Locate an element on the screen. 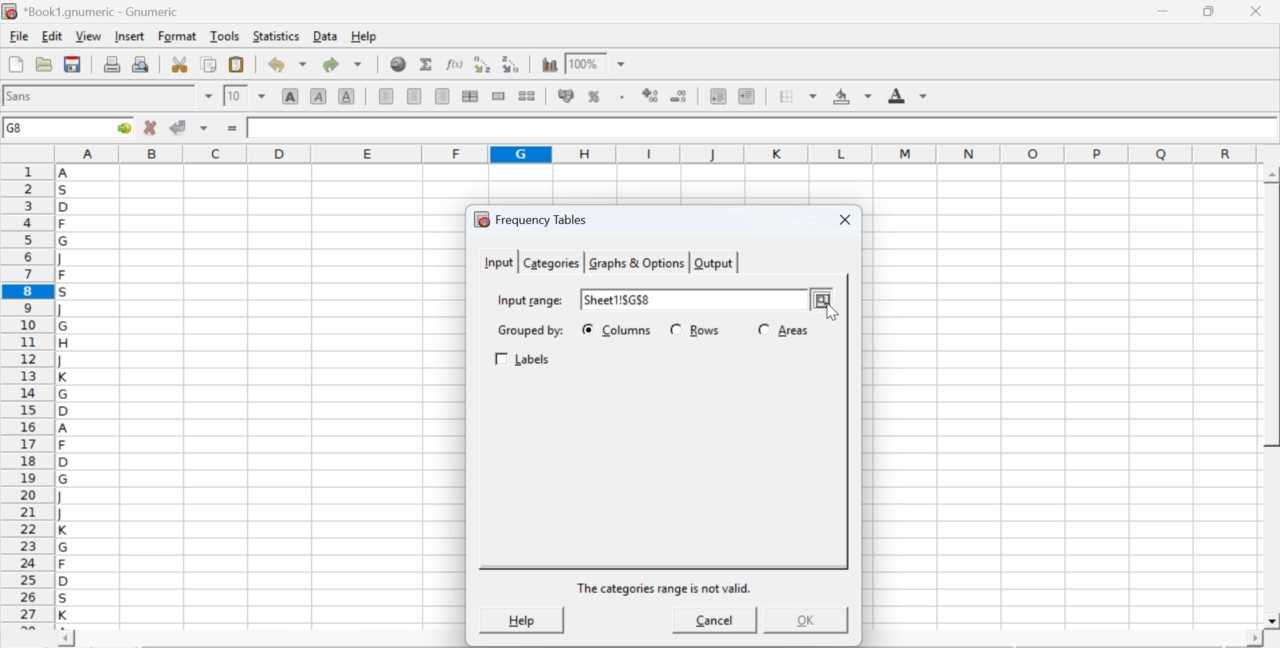  restore down is located at coordinates (1210, 12).